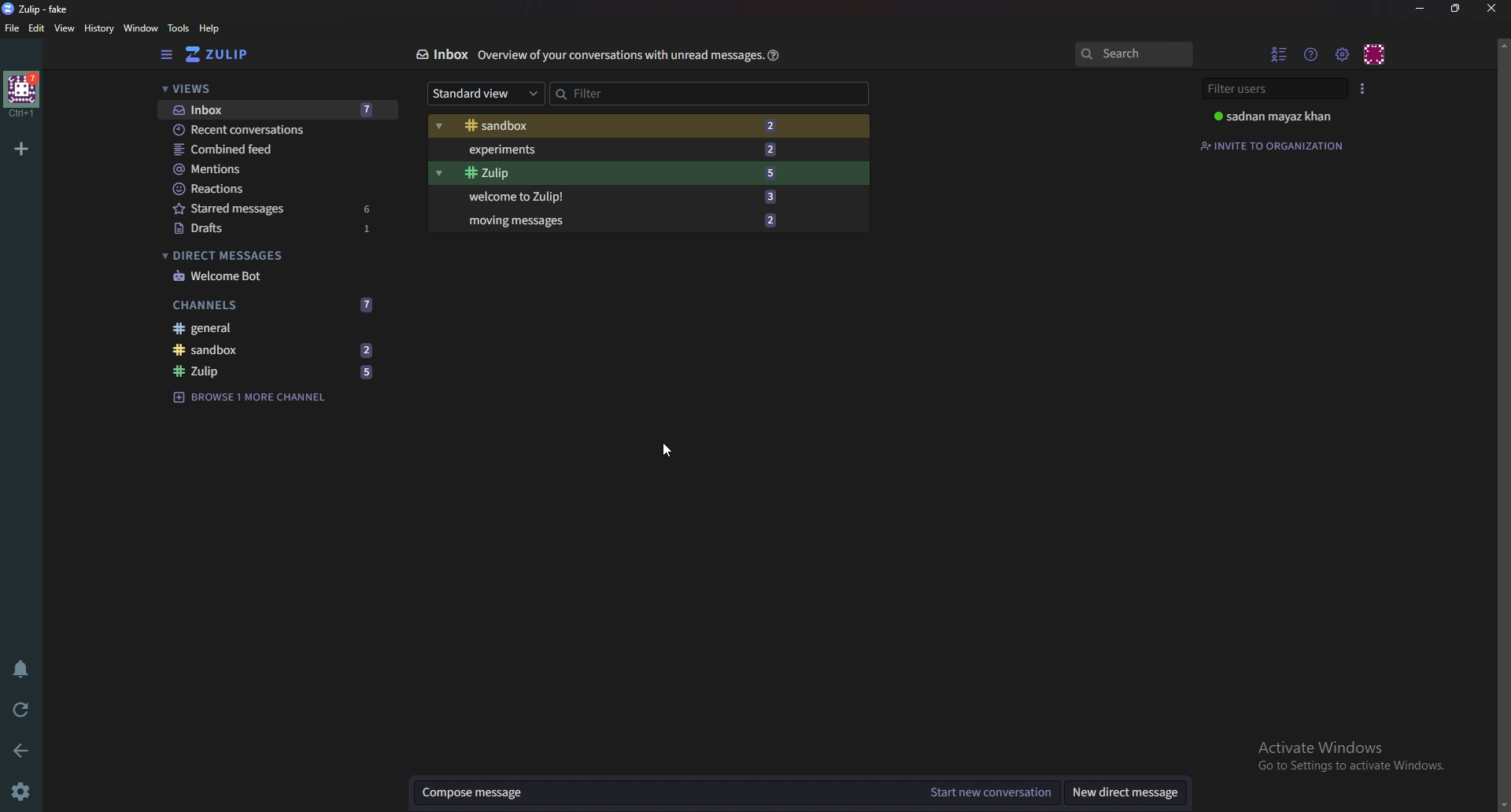 This screenshot has height=812, width=1511. I want to click on Settings, so click(24, 788).